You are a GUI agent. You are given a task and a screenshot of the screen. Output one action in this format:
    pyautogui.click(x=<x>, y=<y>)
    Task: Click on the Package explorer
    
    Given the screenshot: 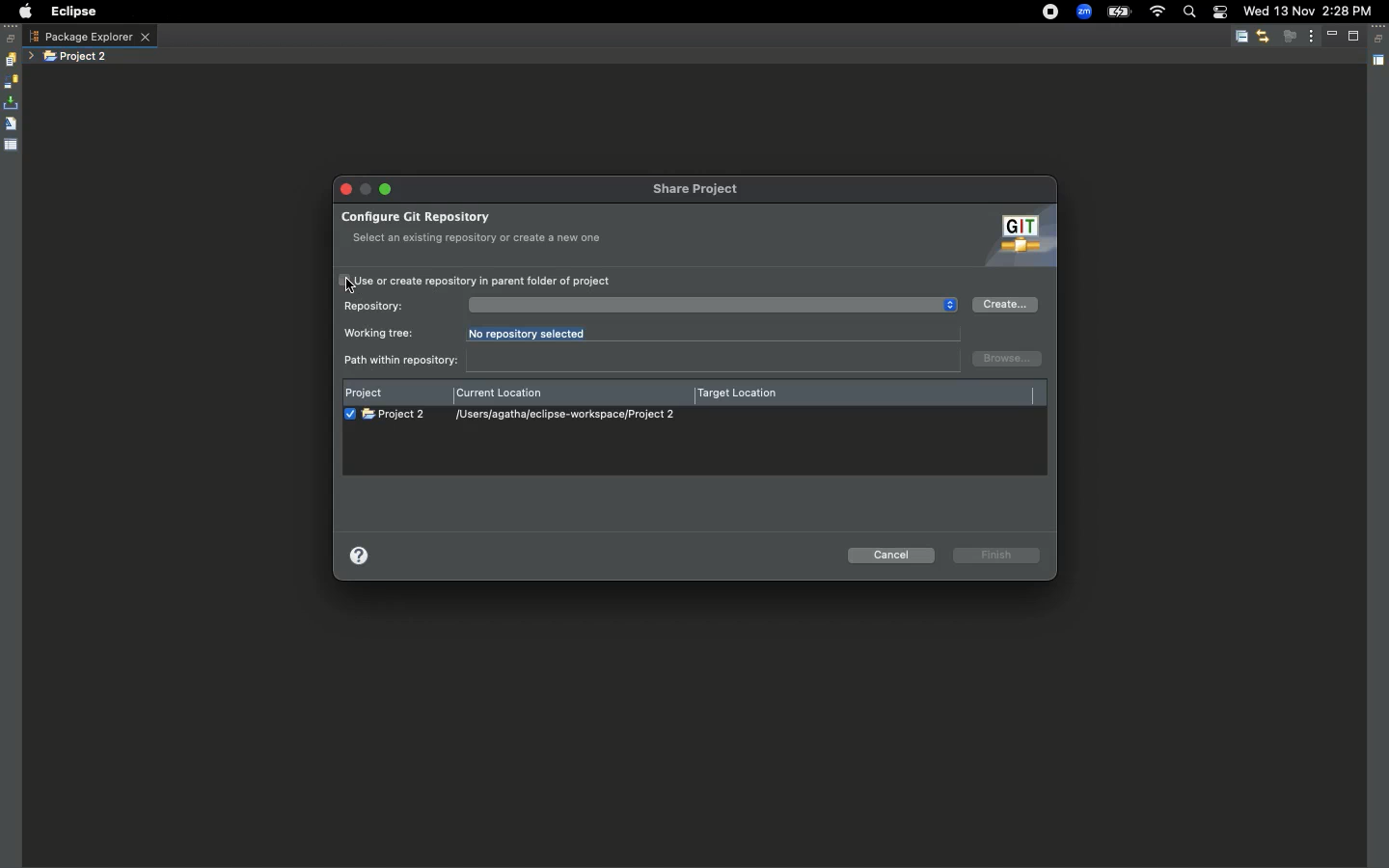 What is the action you would take?
    pyautogui.click(x=90, y=37)
    